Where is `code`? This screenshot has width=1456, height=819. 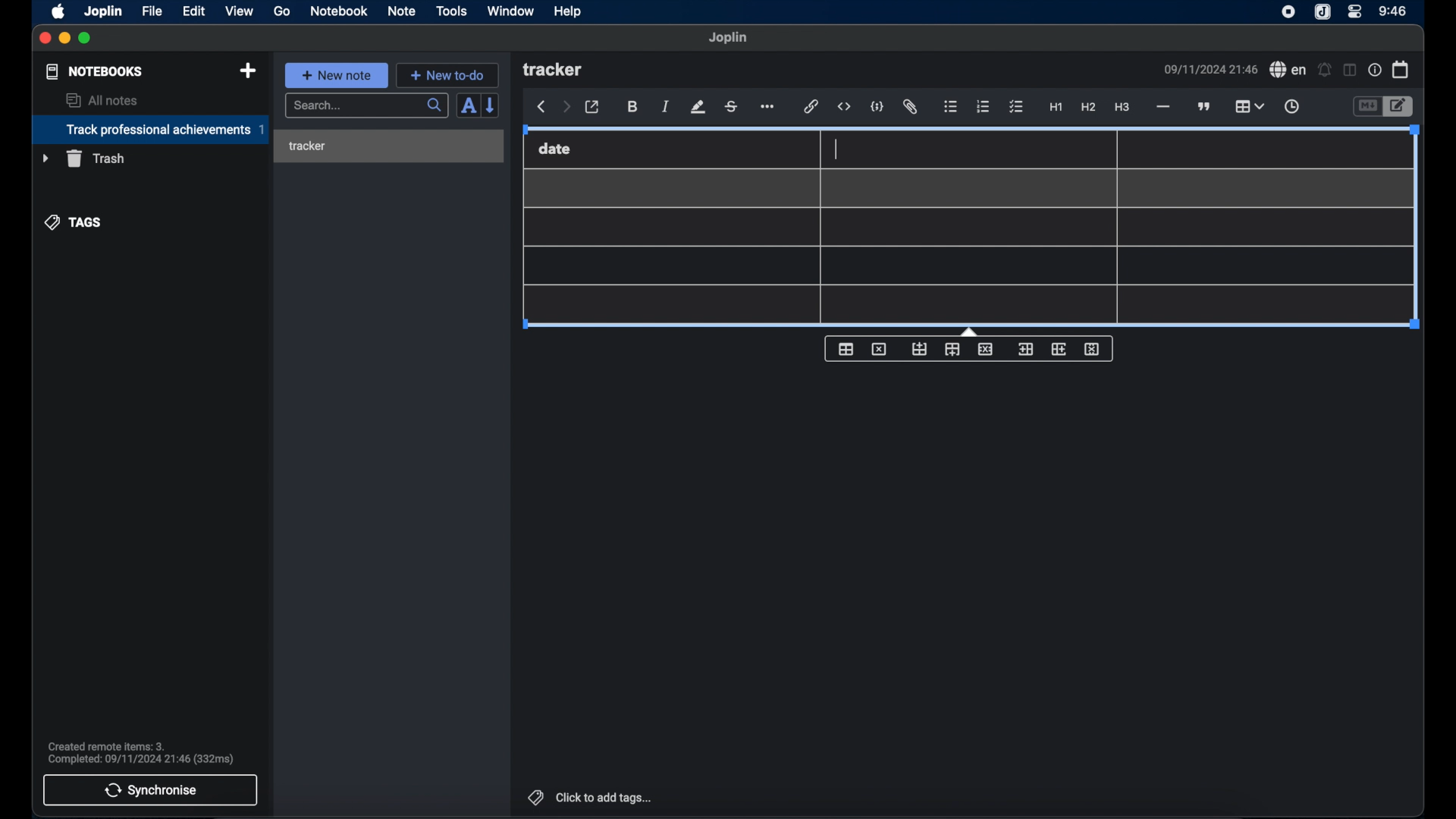 code is located at coordinates (878, 106).